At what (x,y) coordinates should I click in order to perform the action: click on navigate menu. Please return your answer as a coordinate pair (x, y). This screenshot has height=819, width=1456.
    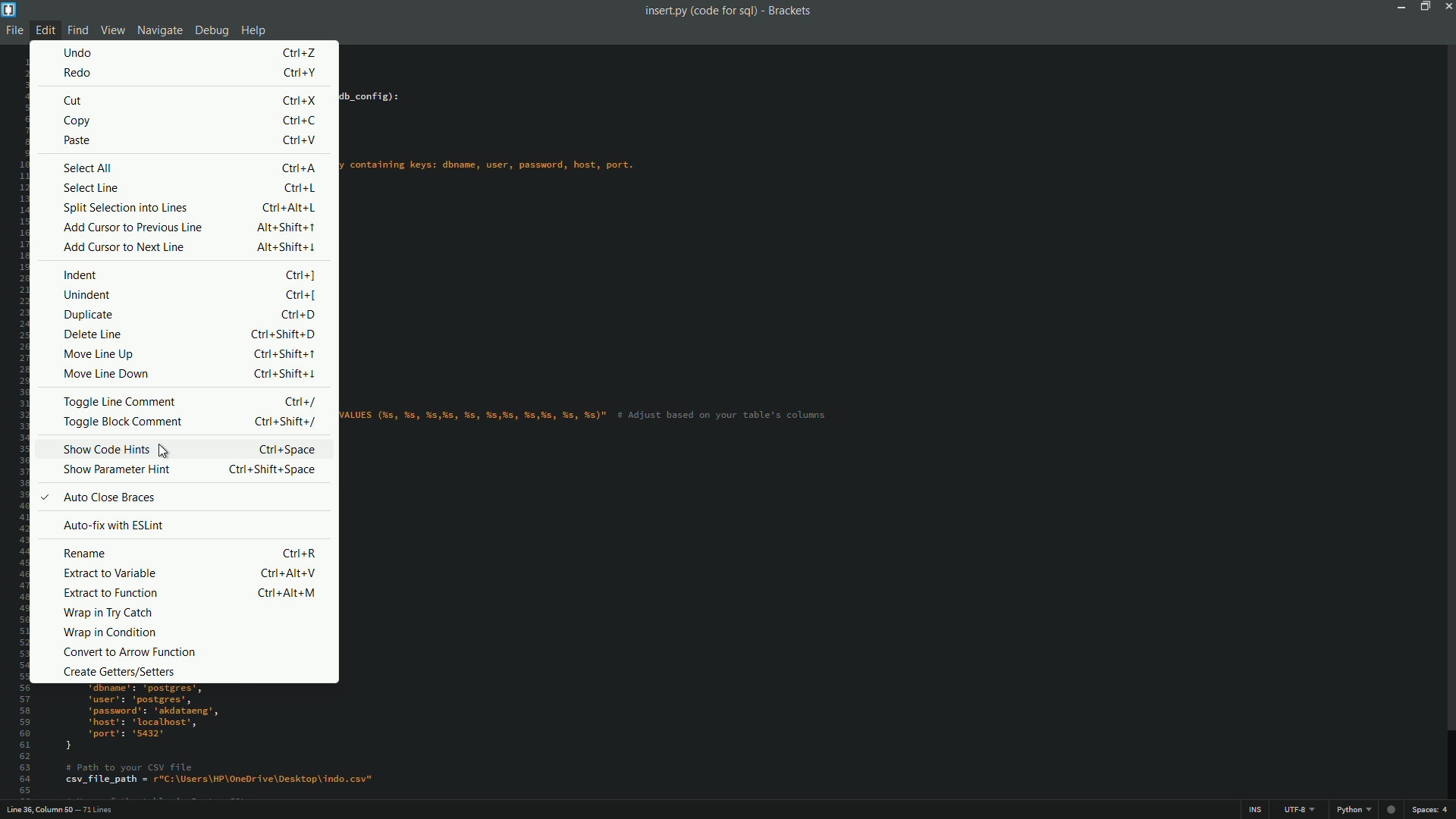
    Looking at the image, I should click on (158, 30).